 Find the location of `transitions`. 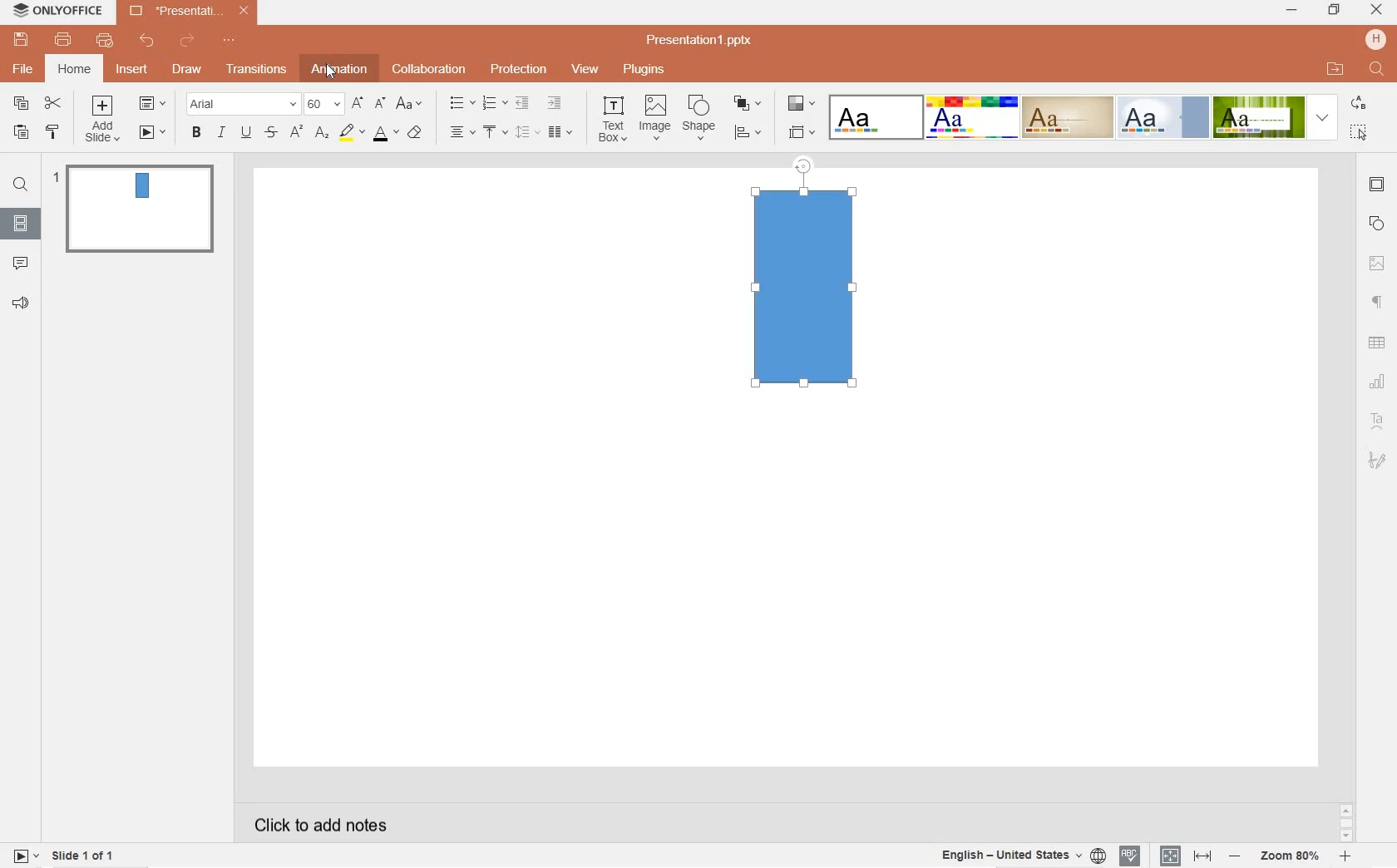

transitions is located at coordinates (254, 70).